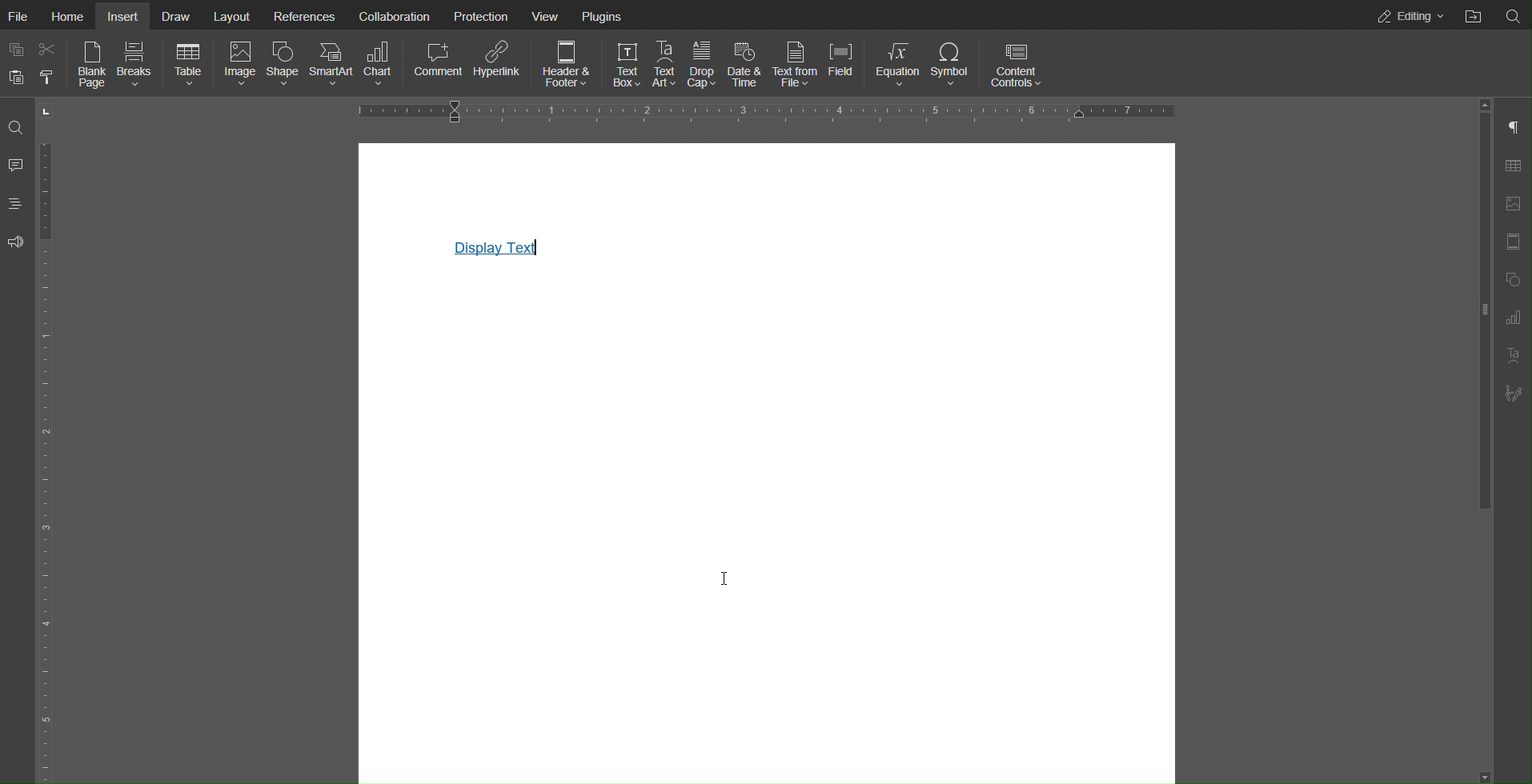  What do you see at coordinates (178, 16) in the screenshot?
I see `Draw` at bounding box center [178, 16].